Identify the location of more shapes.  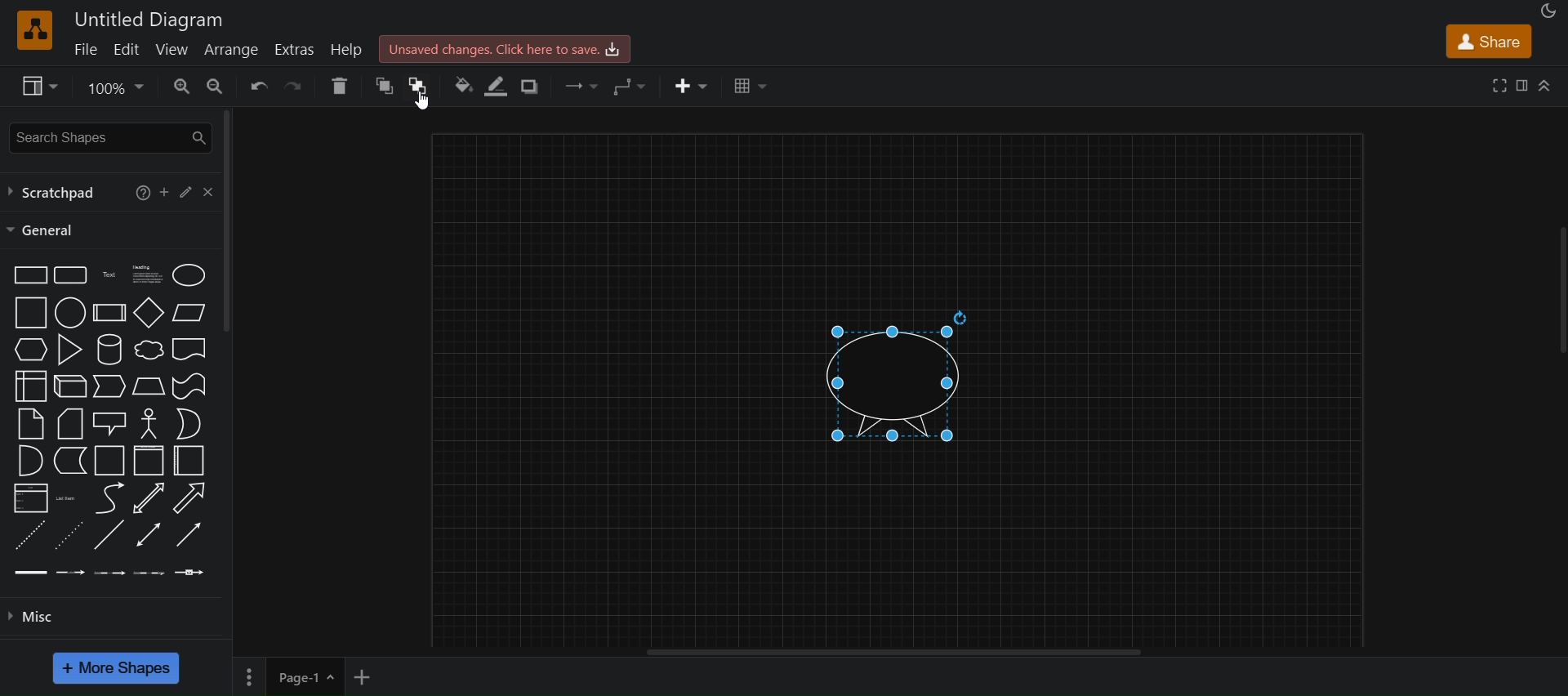
(115, 669).